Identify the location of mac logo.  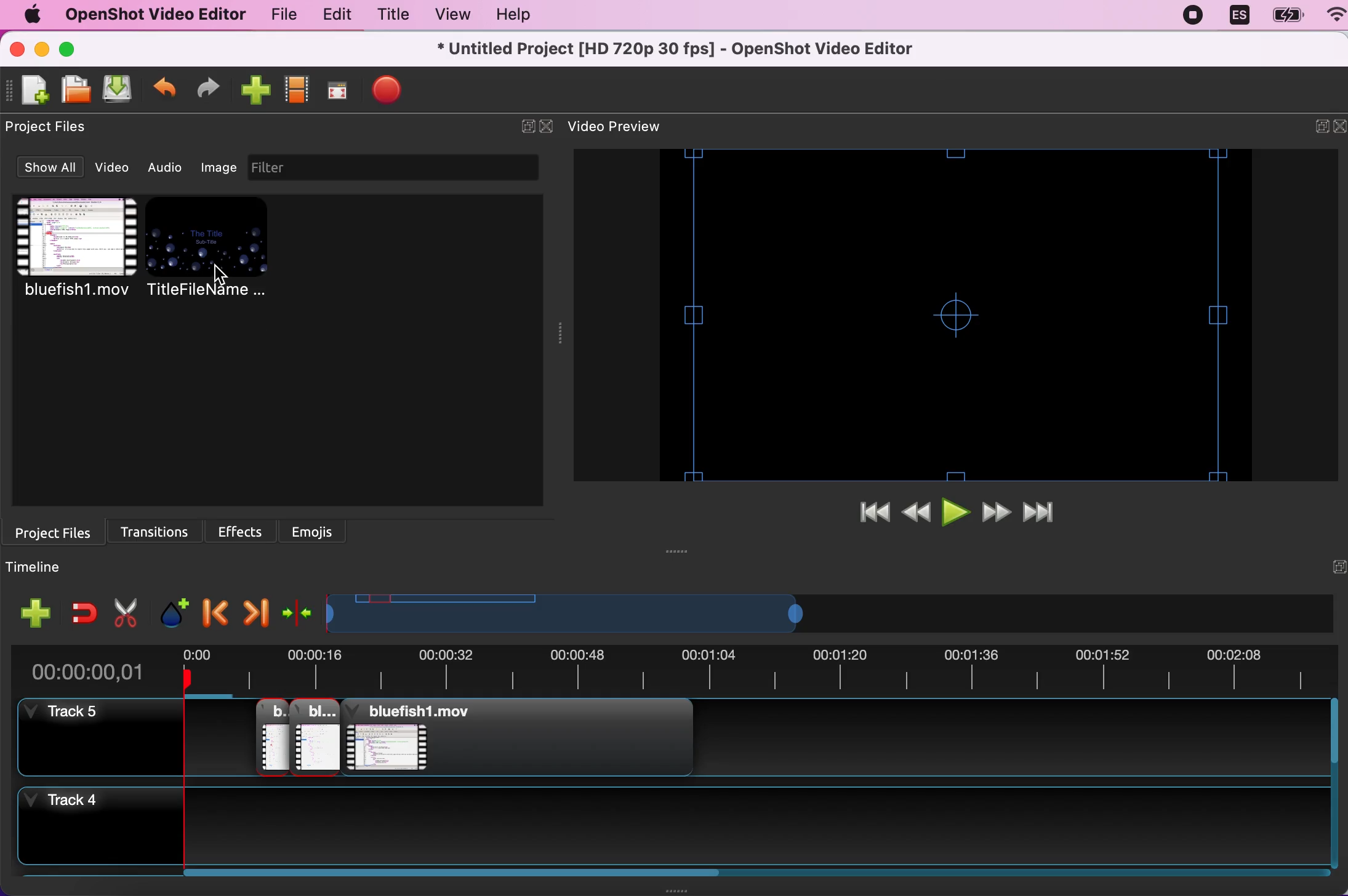
(28, 15).